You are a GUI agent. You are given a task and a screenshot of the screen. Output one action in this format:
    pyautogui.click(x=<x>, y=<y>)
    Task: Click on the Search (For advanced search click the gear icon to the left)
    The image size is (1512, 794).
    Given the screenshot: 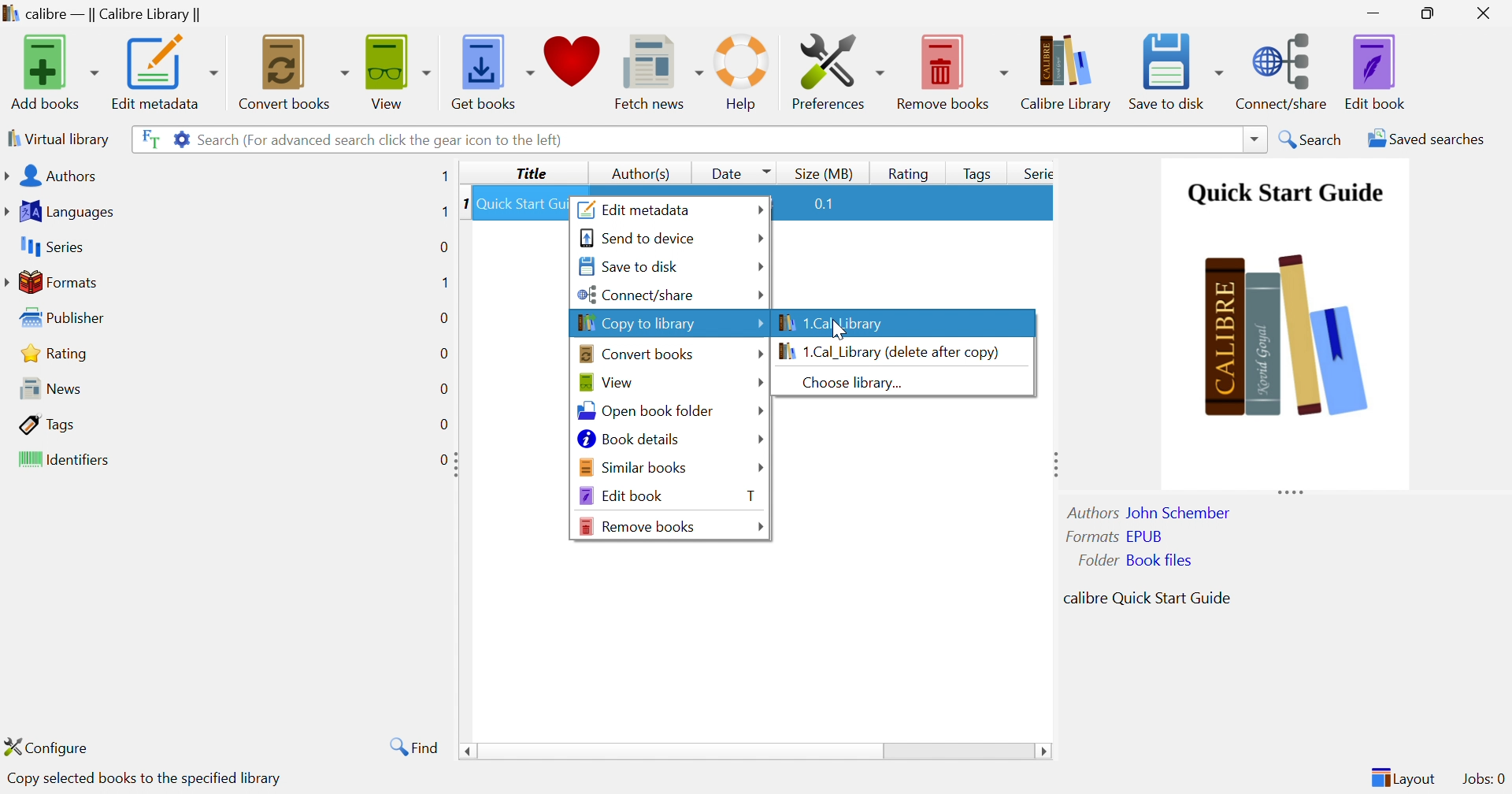 What is the action you would take?
    pyautogui.click(x=383, y=141)
    